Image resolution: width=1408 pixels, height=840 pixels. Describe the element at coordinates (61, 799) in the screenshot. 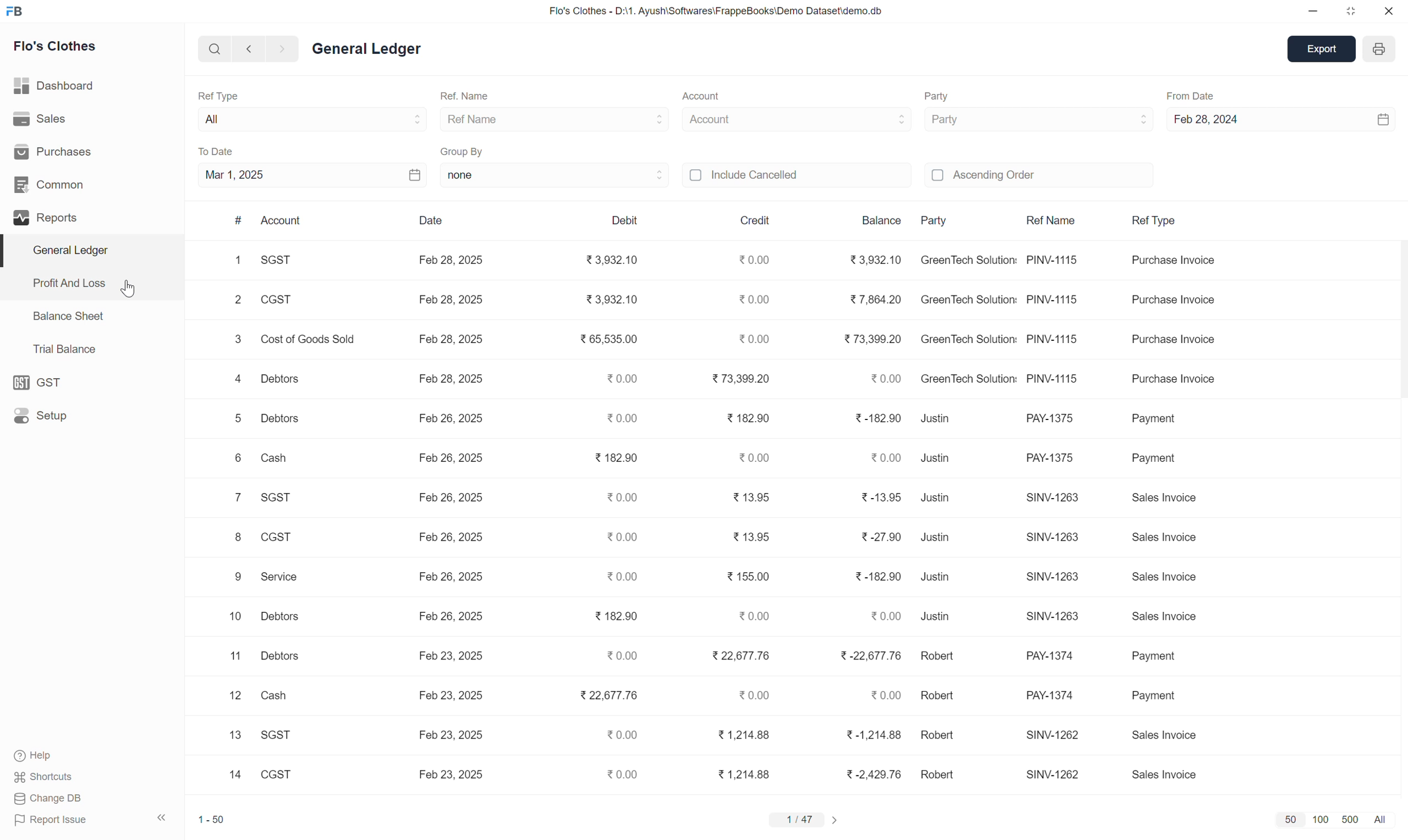

I see `change DB` at that location.